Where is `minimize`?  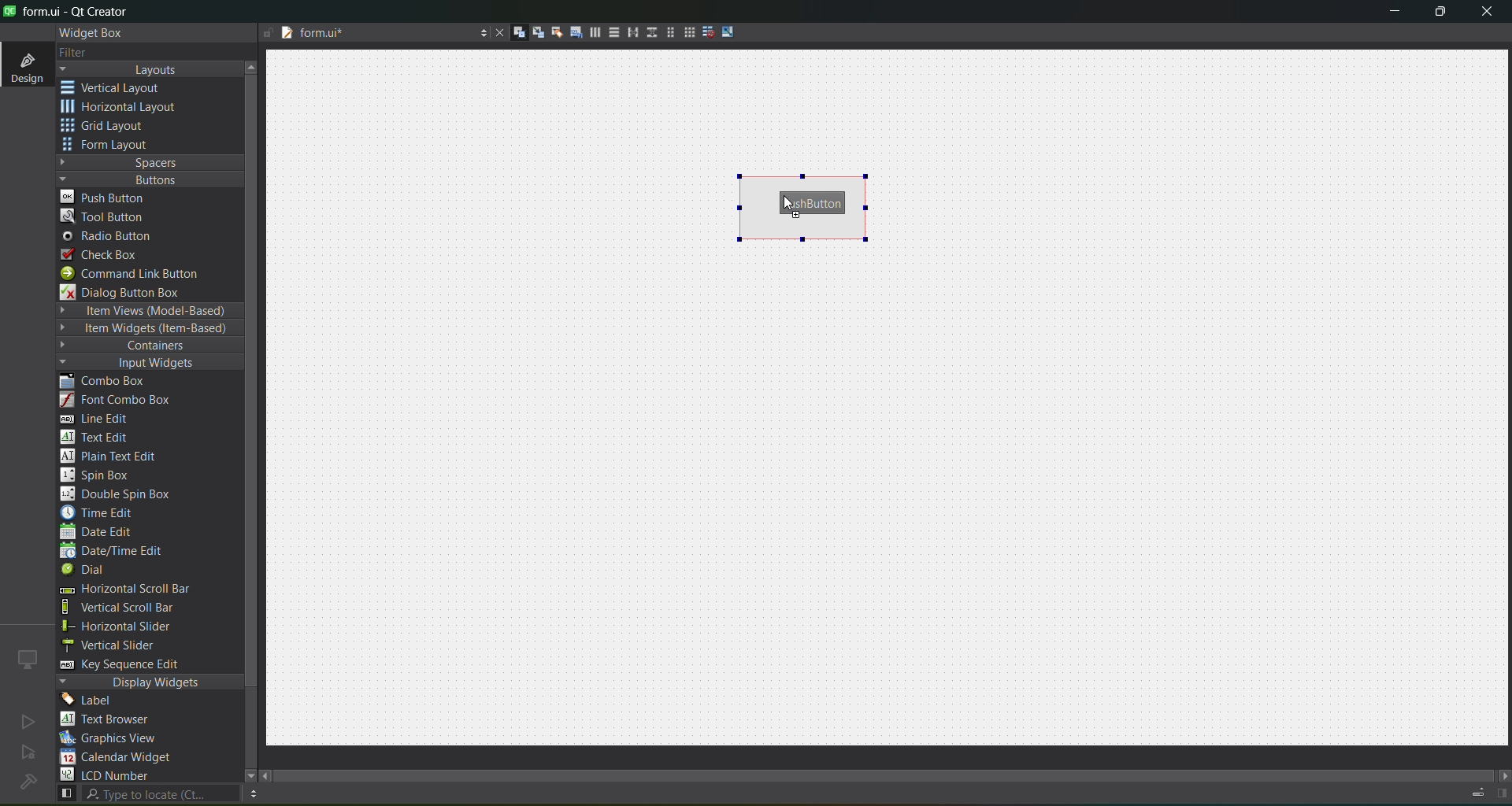 minimize is located at coordinates (1395, 14).